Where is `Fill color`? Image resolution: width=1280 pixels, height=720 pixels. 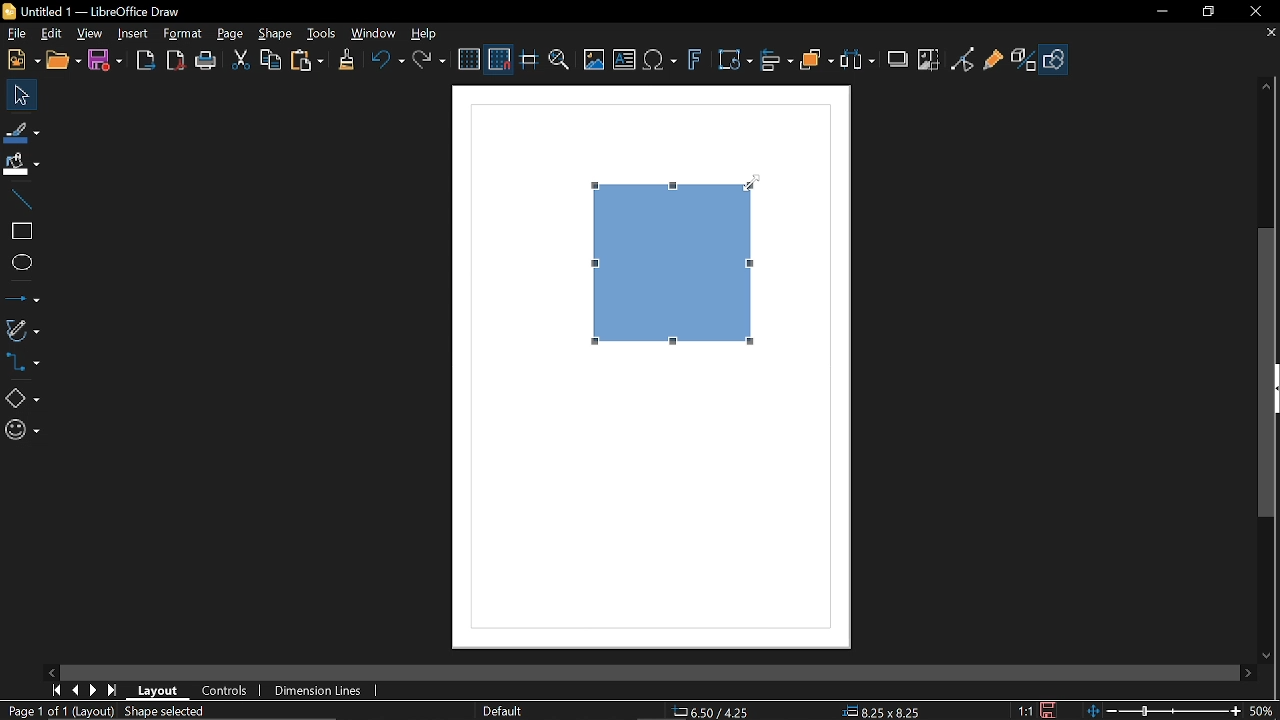 Fill color is located at coordinates (22, 164).